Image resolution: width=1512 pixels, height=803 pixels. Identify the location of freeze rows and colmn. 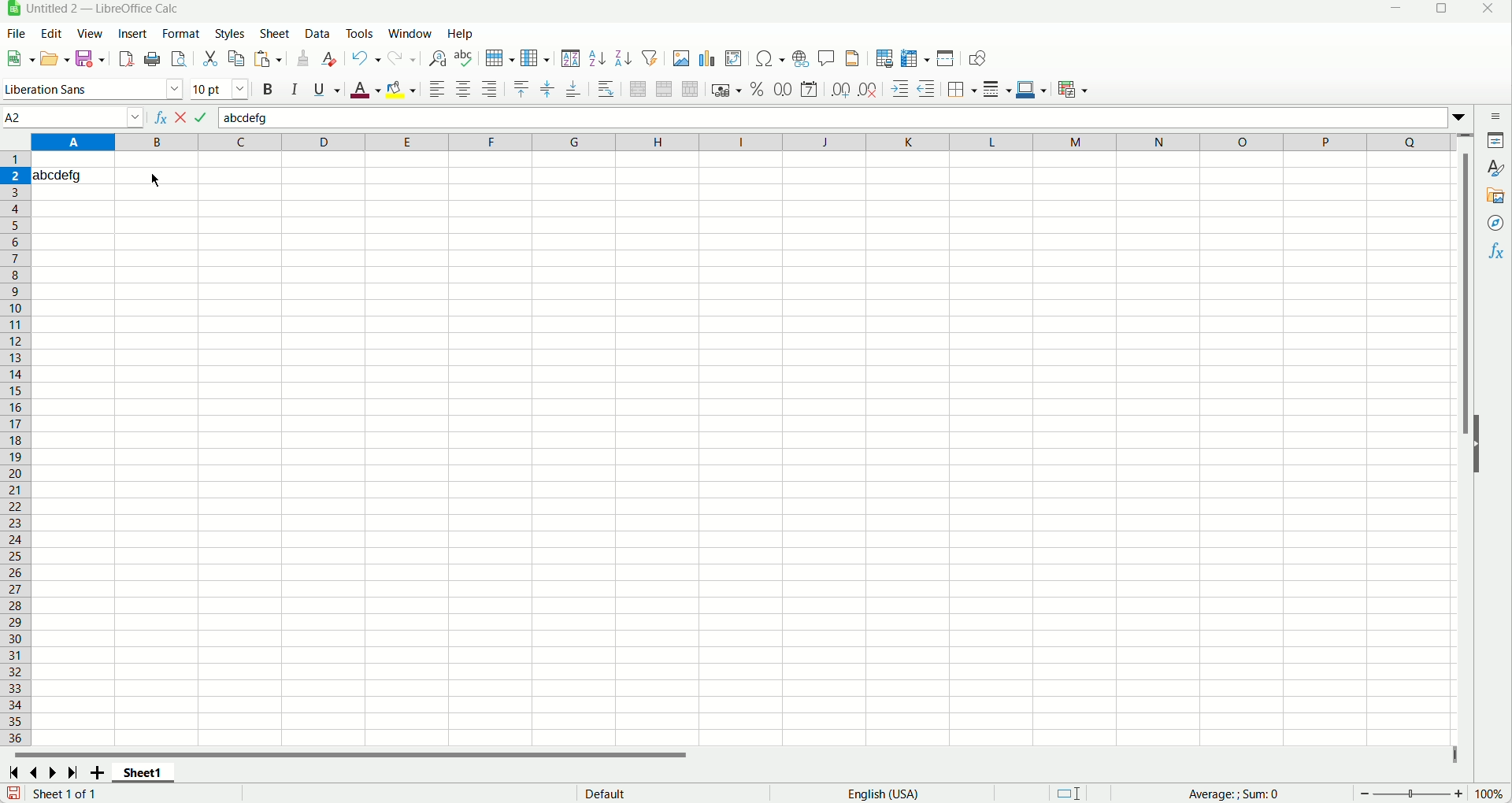
(913, 58).